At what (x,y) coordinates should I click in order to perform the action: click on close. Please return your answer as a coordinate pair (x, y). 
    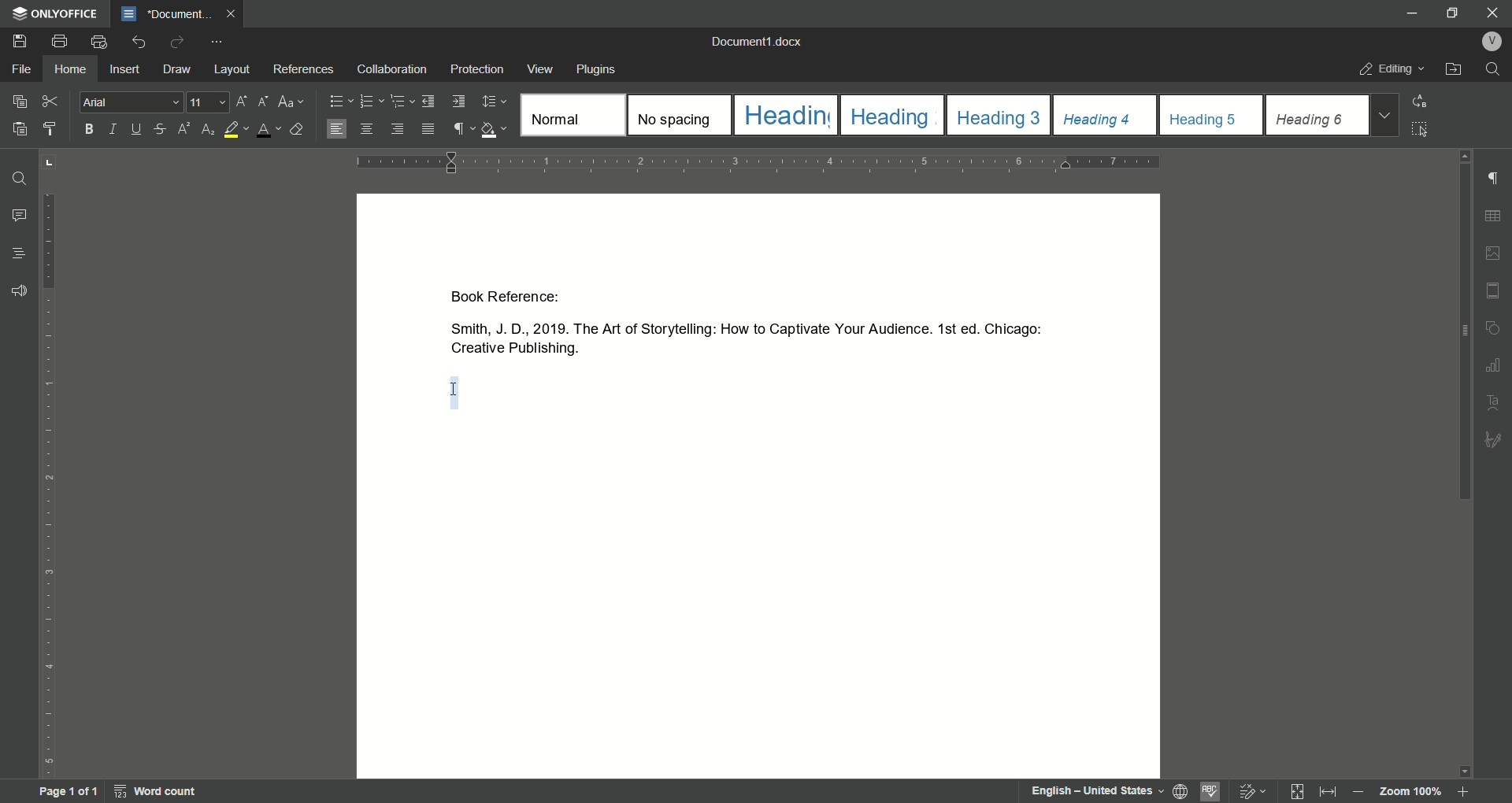
    Looking at the image, I should click on (1494, 12).